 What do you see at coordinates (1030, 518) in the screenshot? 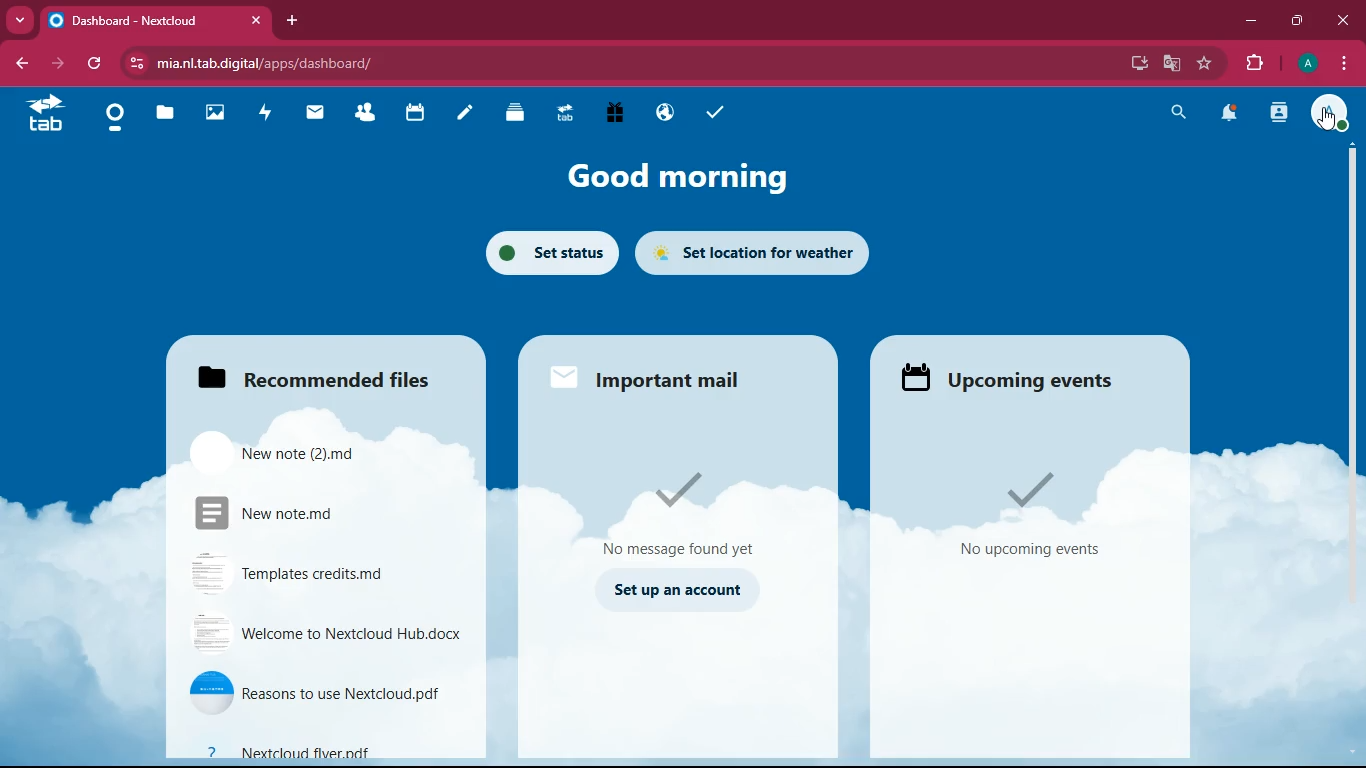
I see `events` at bounding box center [1030, 518].